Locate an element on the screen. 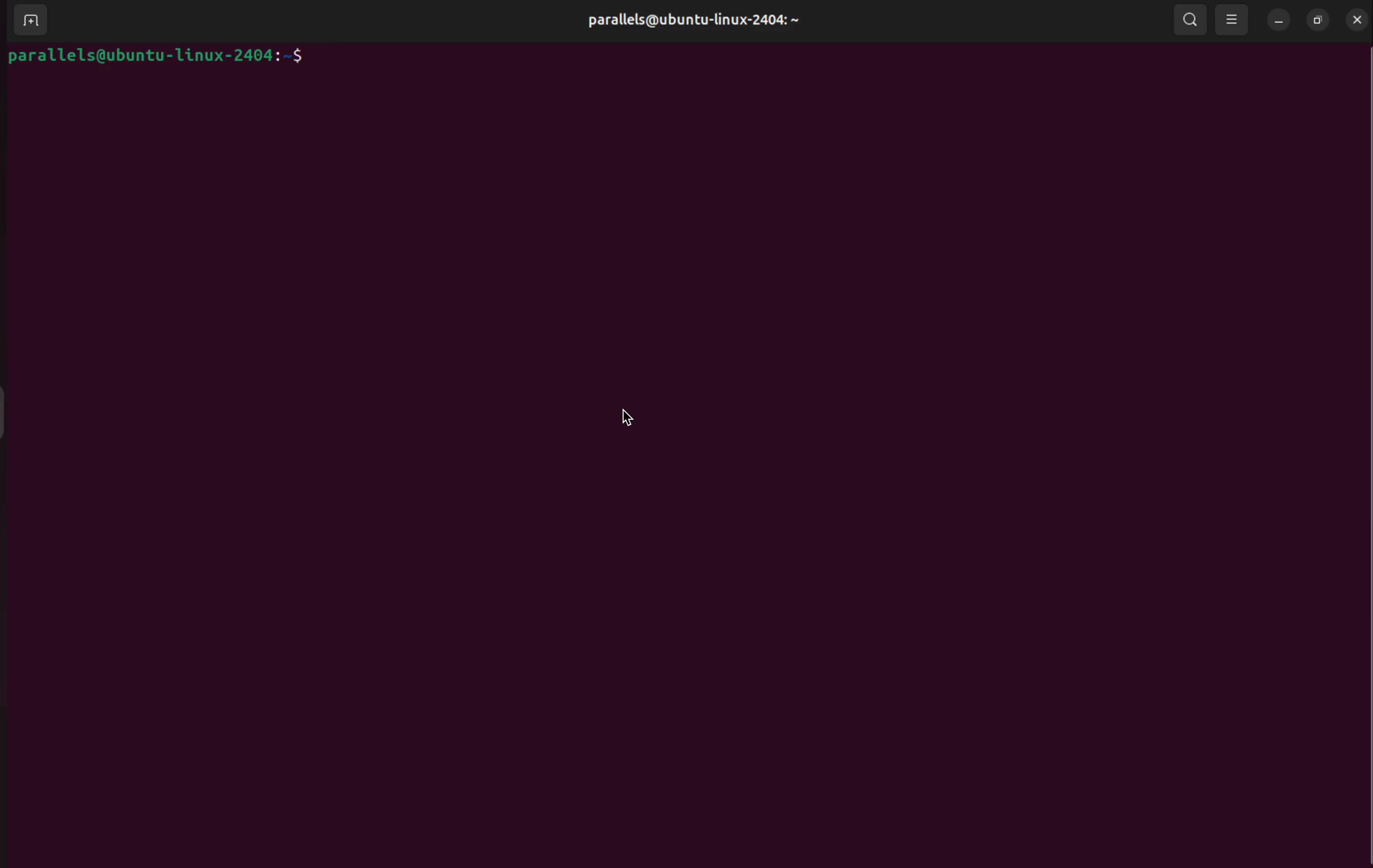  minimize is located at coordinates (1276, 22).